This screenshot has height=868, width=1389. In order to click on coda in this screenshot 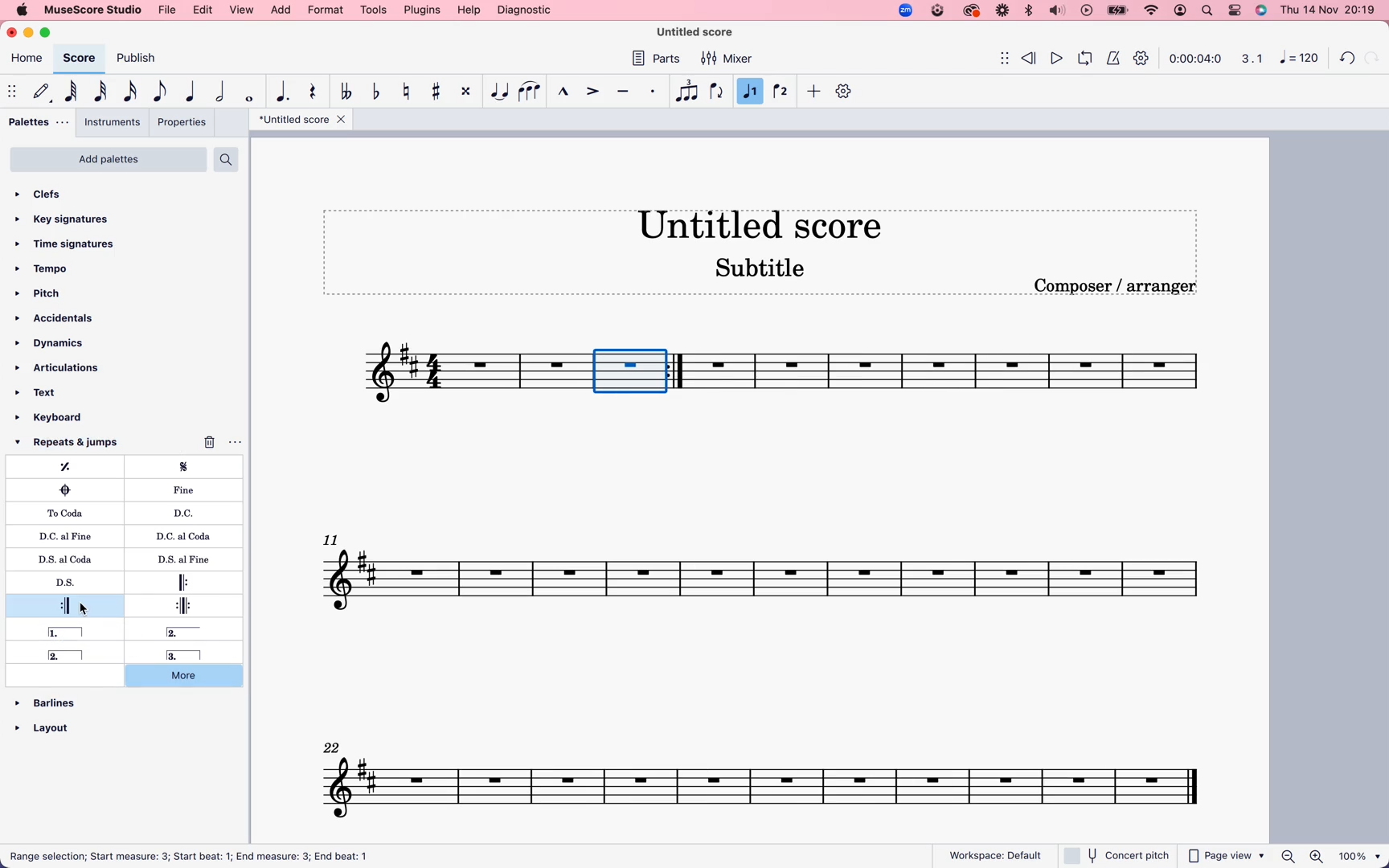, I will do `click(65, 489)`.